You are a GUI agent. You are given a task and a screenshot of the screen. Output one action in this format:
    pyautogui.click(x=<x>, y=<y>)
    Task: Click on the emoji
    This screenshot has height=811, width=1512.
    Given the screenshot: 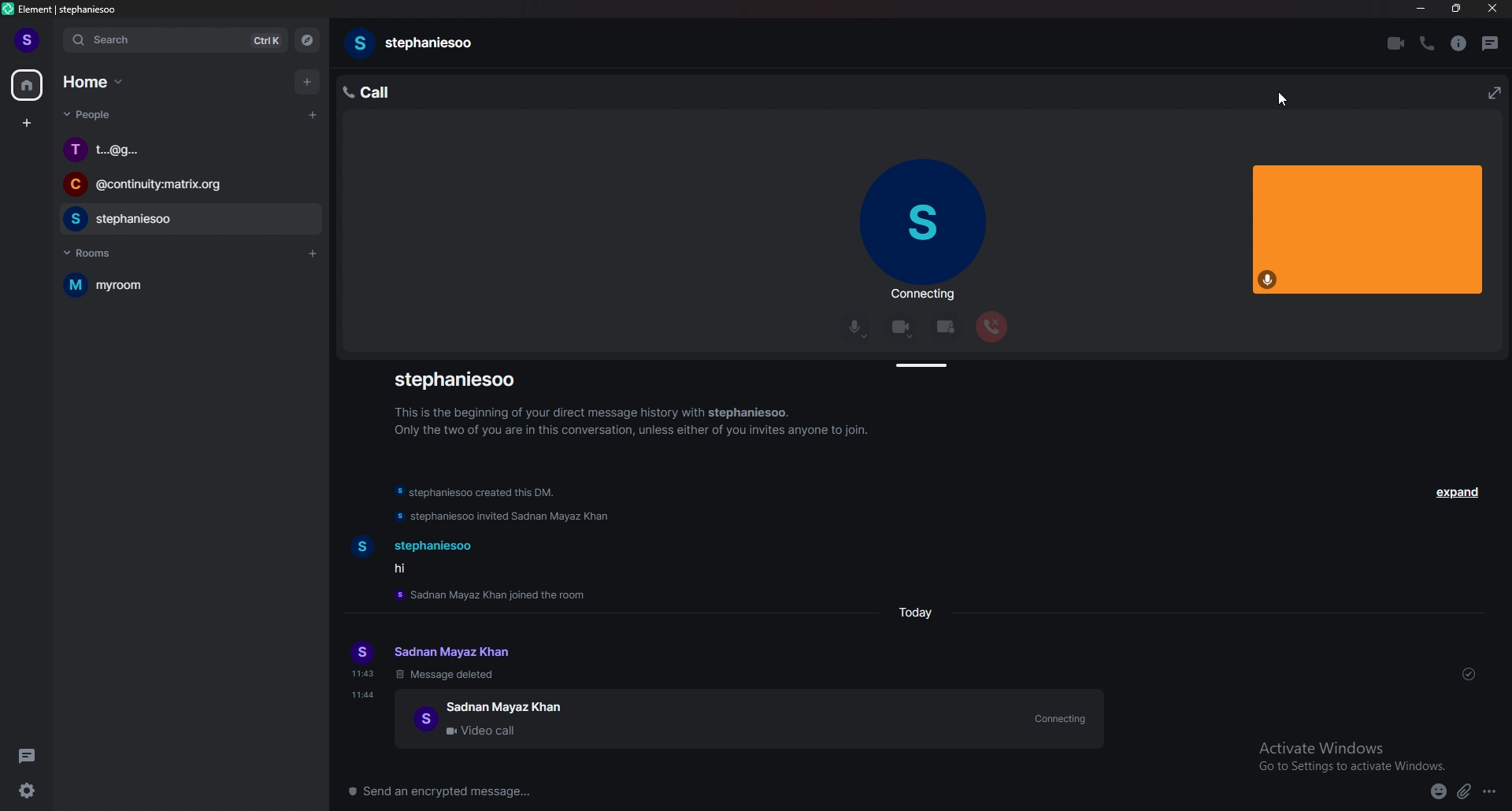 What is the action you would take?
    pyautogui.click(x=1433, y=794)
    